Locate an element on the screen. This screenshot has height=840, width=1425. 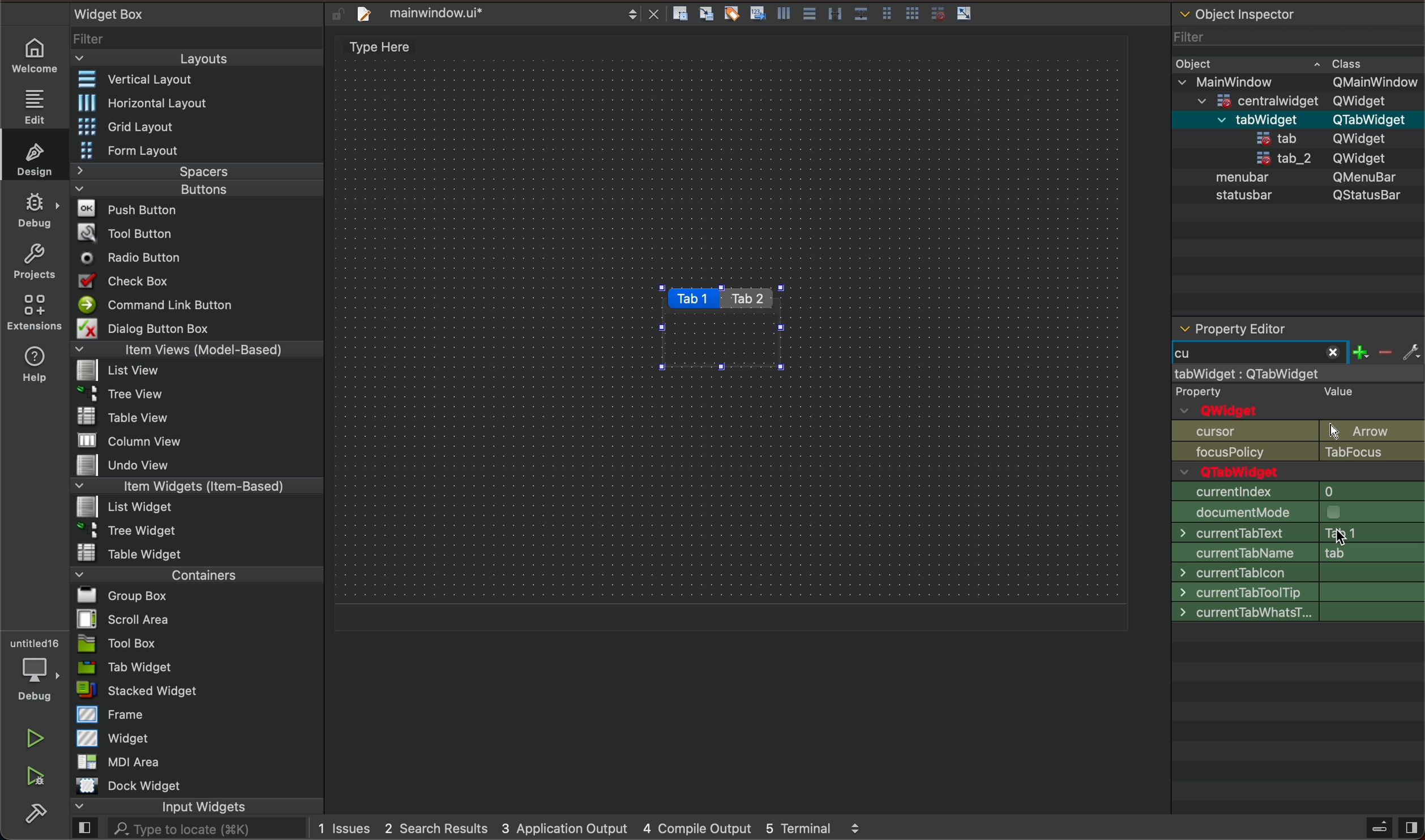
Table Widget is located at coordinates (123, 552).